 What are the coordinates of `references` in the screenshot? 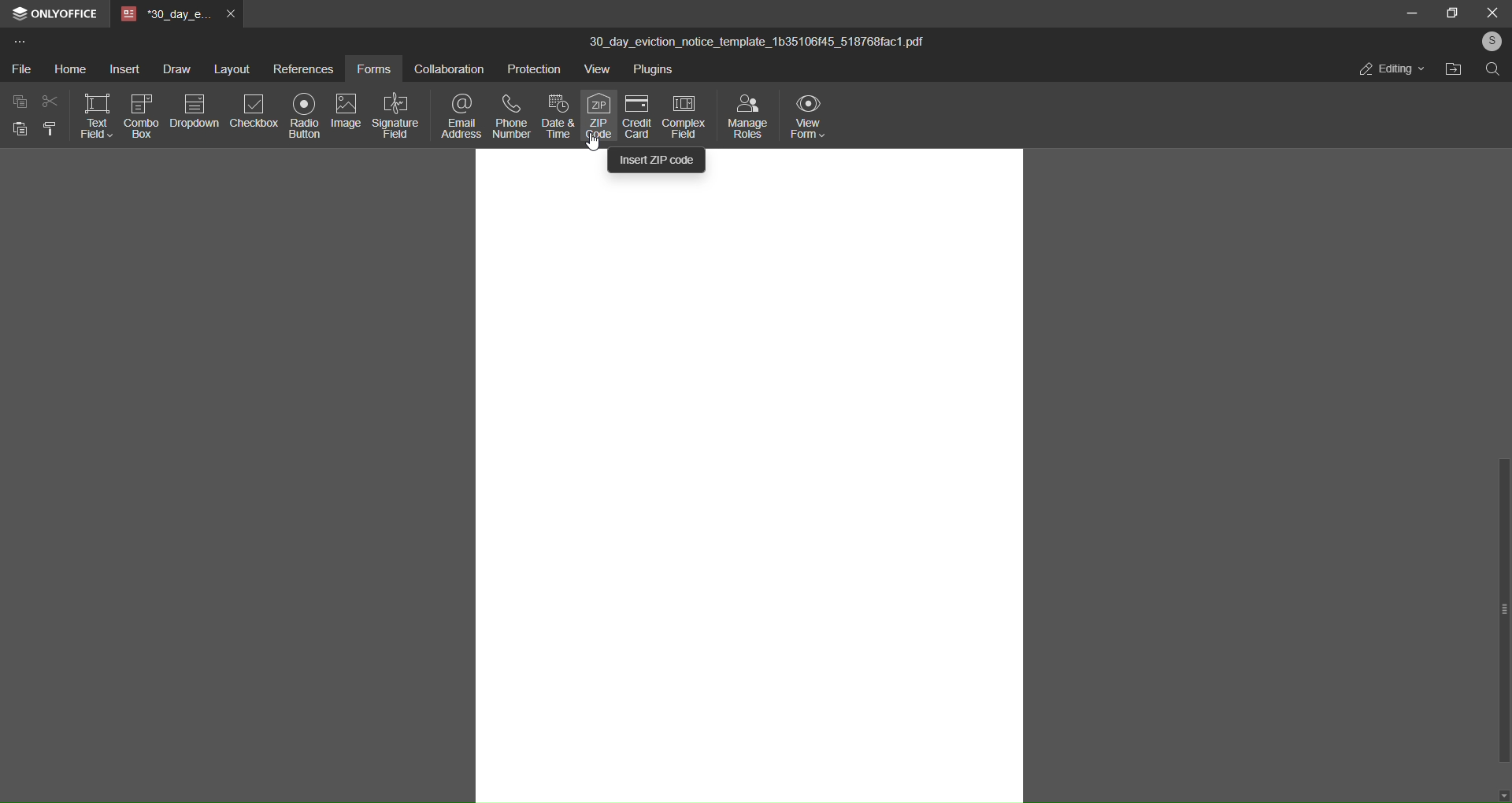 It's located at (300, 68).